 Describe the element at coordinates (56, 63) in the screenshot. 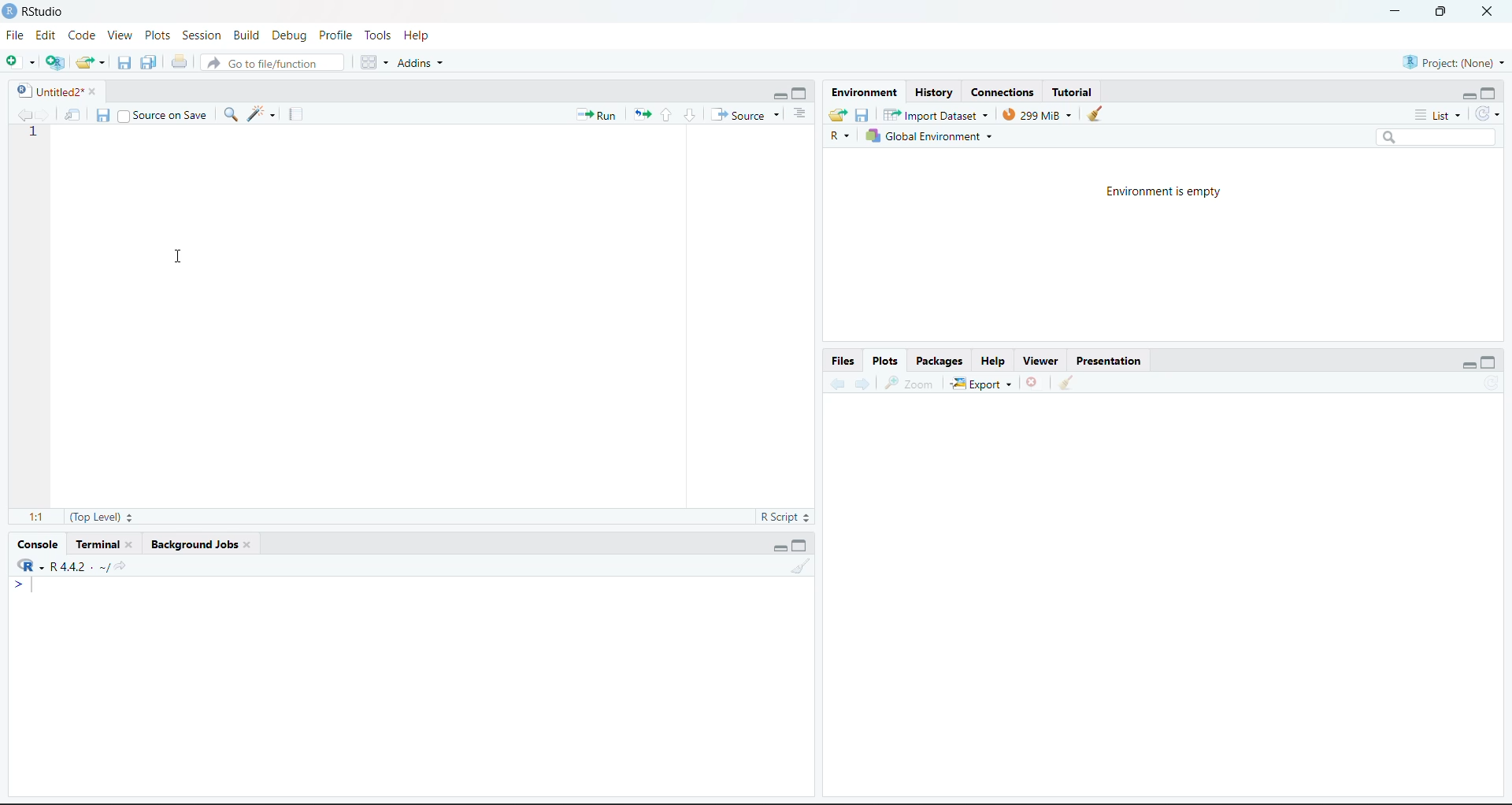

I see `create a project` at that location.